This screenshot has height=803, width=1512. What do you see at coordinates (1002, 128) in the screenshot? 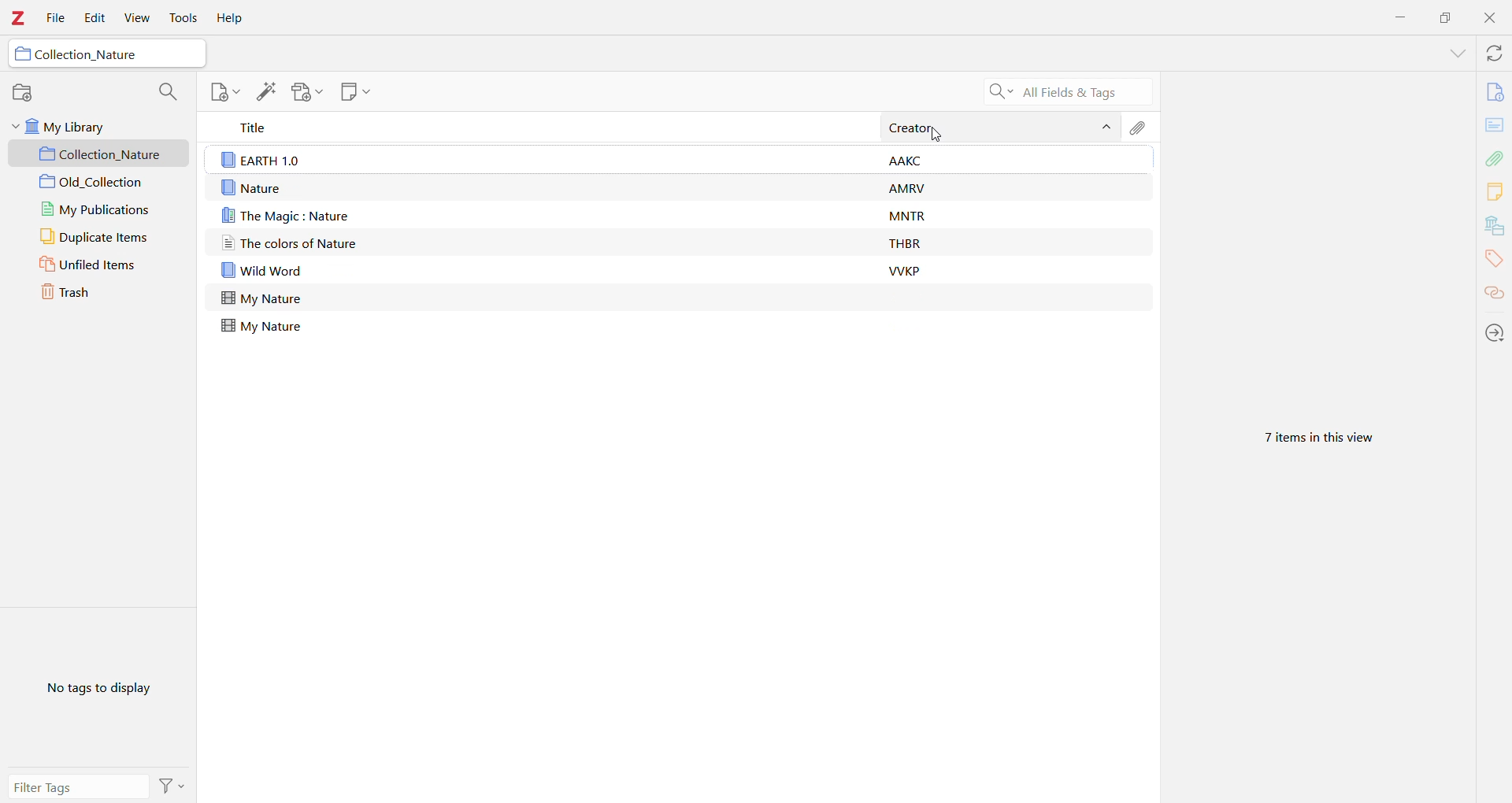
I see `Creator` at bounding box center [1002, 128].